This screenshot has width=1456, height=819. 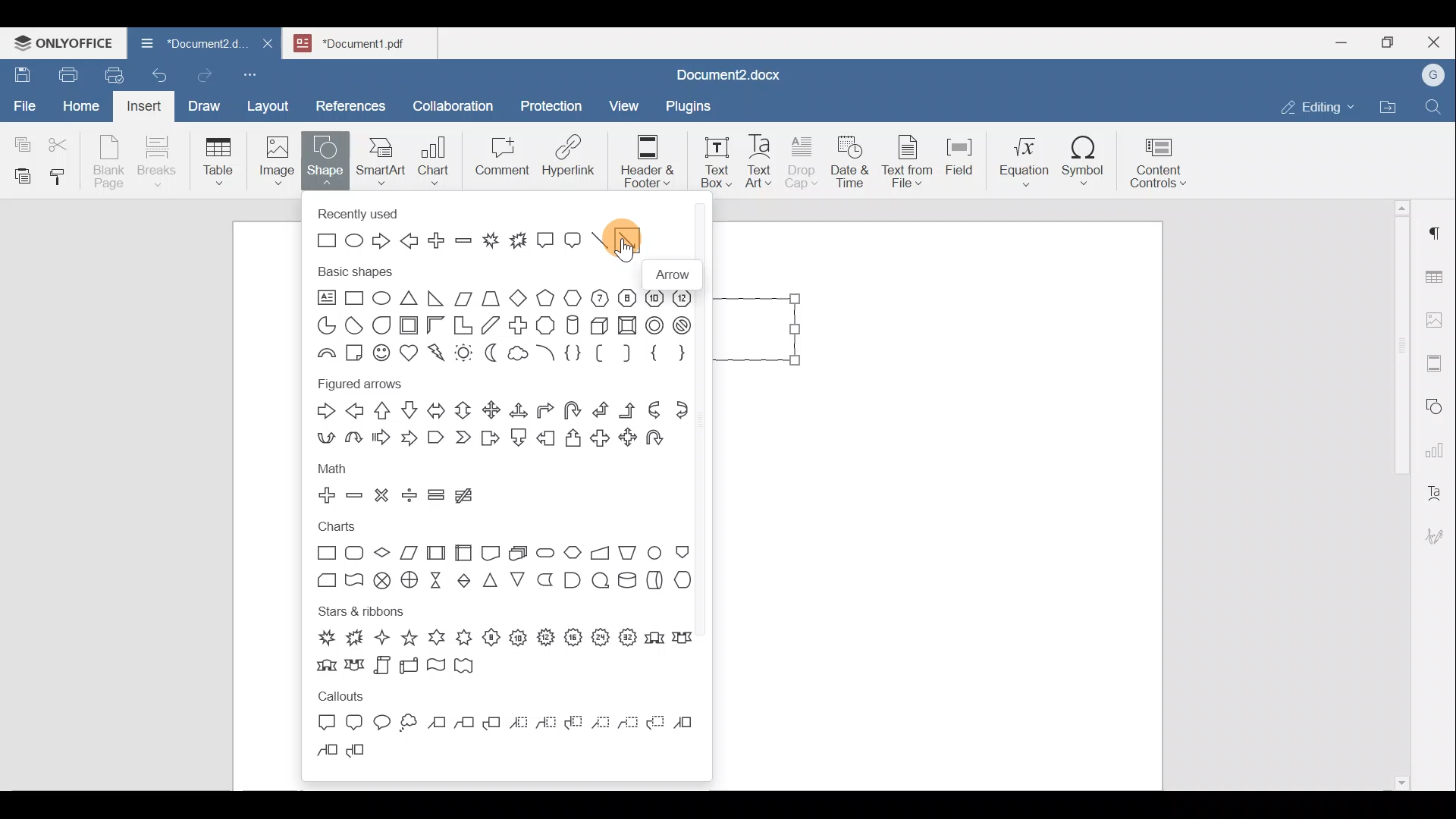 I want to click on Date & time, so click(x=851, y=159).